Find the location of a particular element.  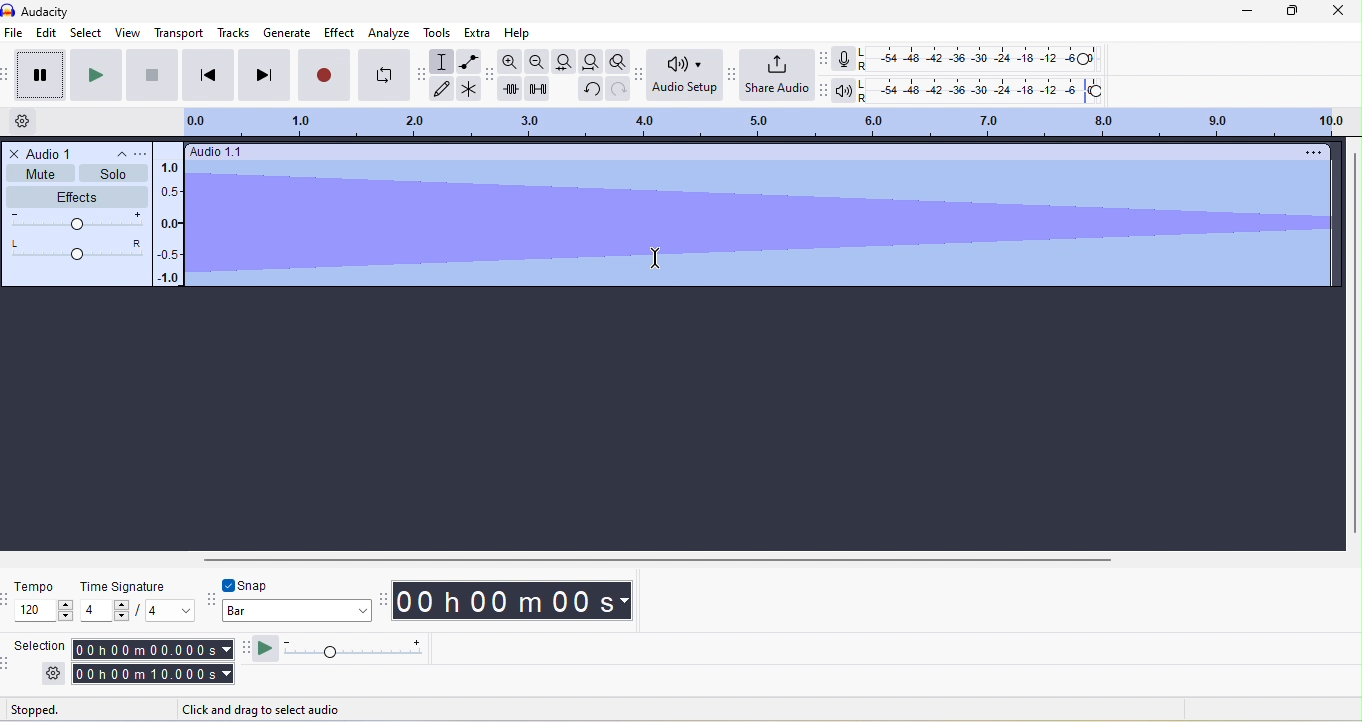

snap is located at coordinates (264, 584).